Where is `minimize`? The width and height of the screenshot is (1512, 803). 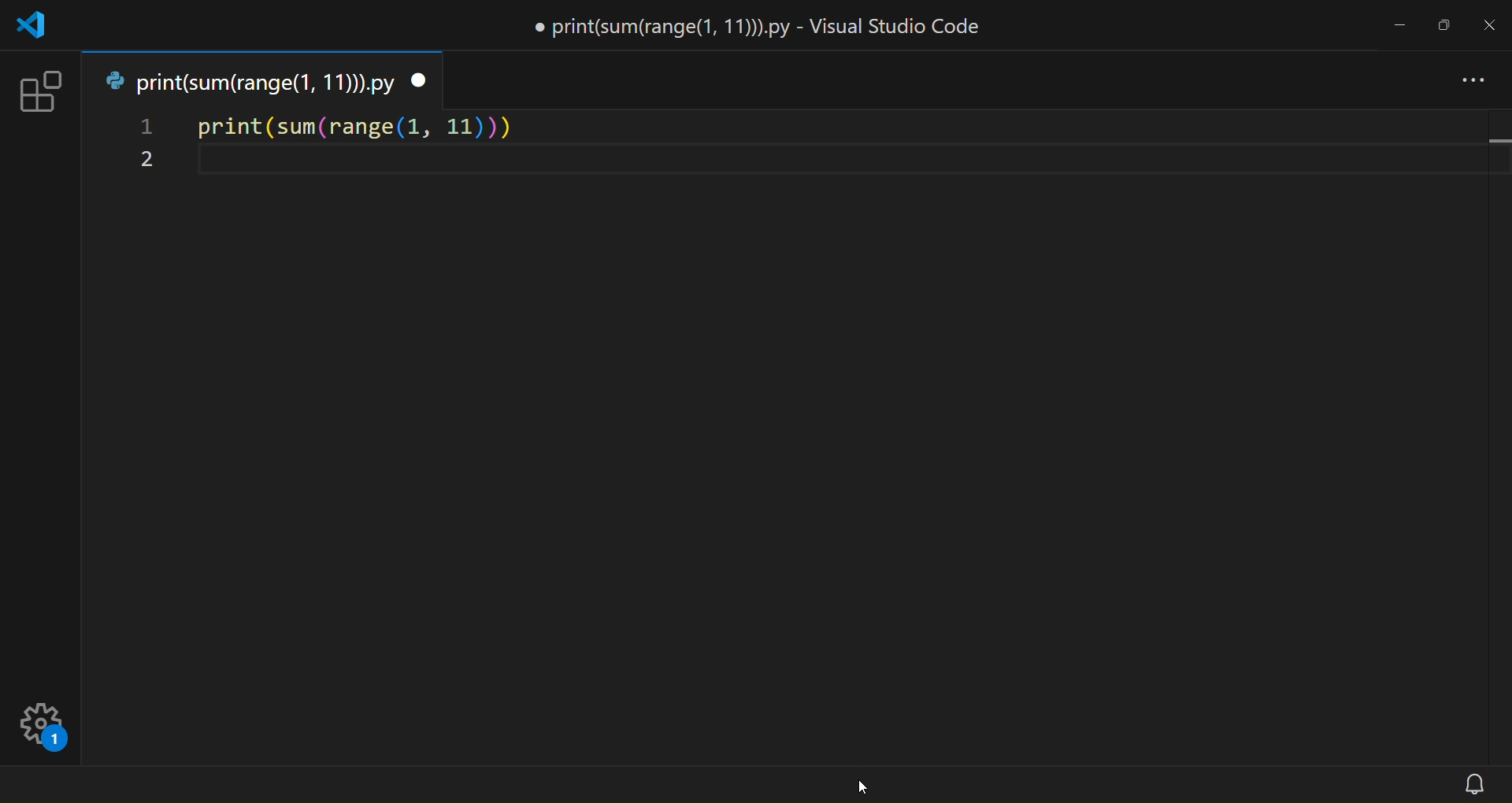 minimize is located at coordinates (1404, 24).